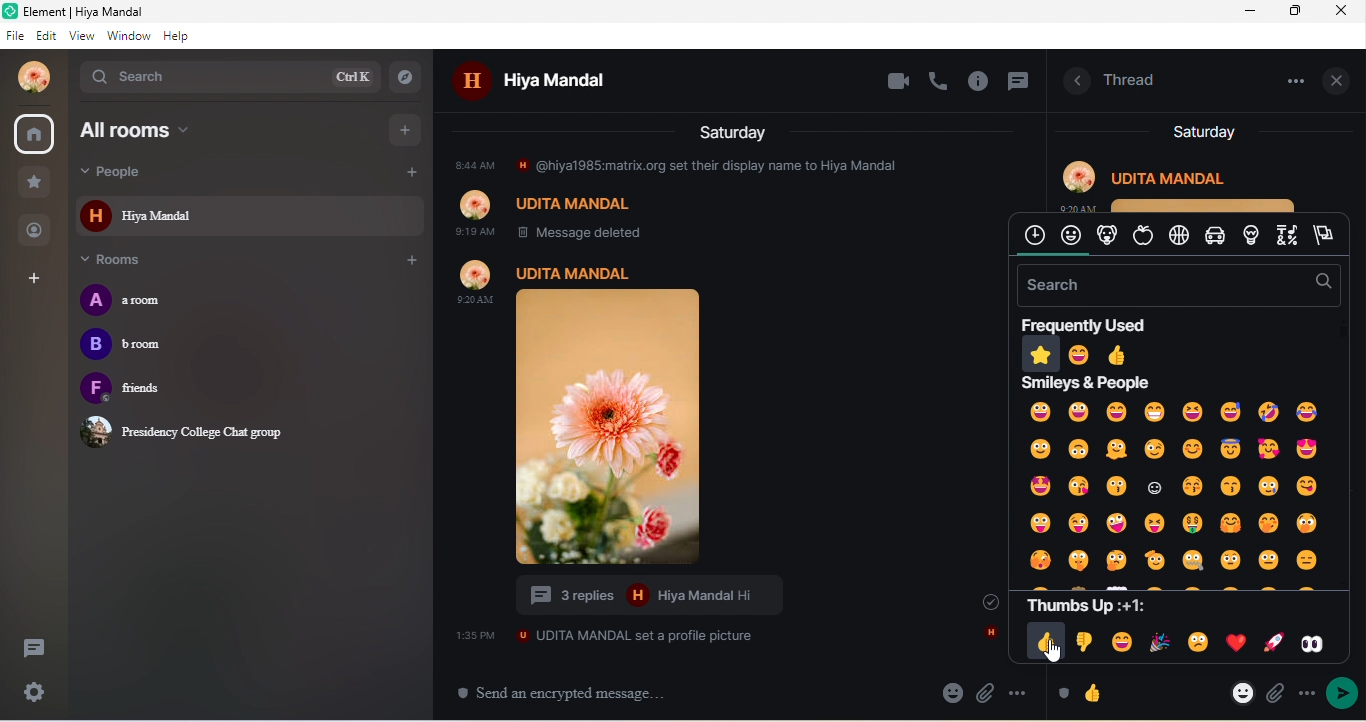 The height and width of the screenshot is (722, 1366). What do you see at coordinates (145, 172) in the screenshot?
I see `people` at bounding box center [145, 172].